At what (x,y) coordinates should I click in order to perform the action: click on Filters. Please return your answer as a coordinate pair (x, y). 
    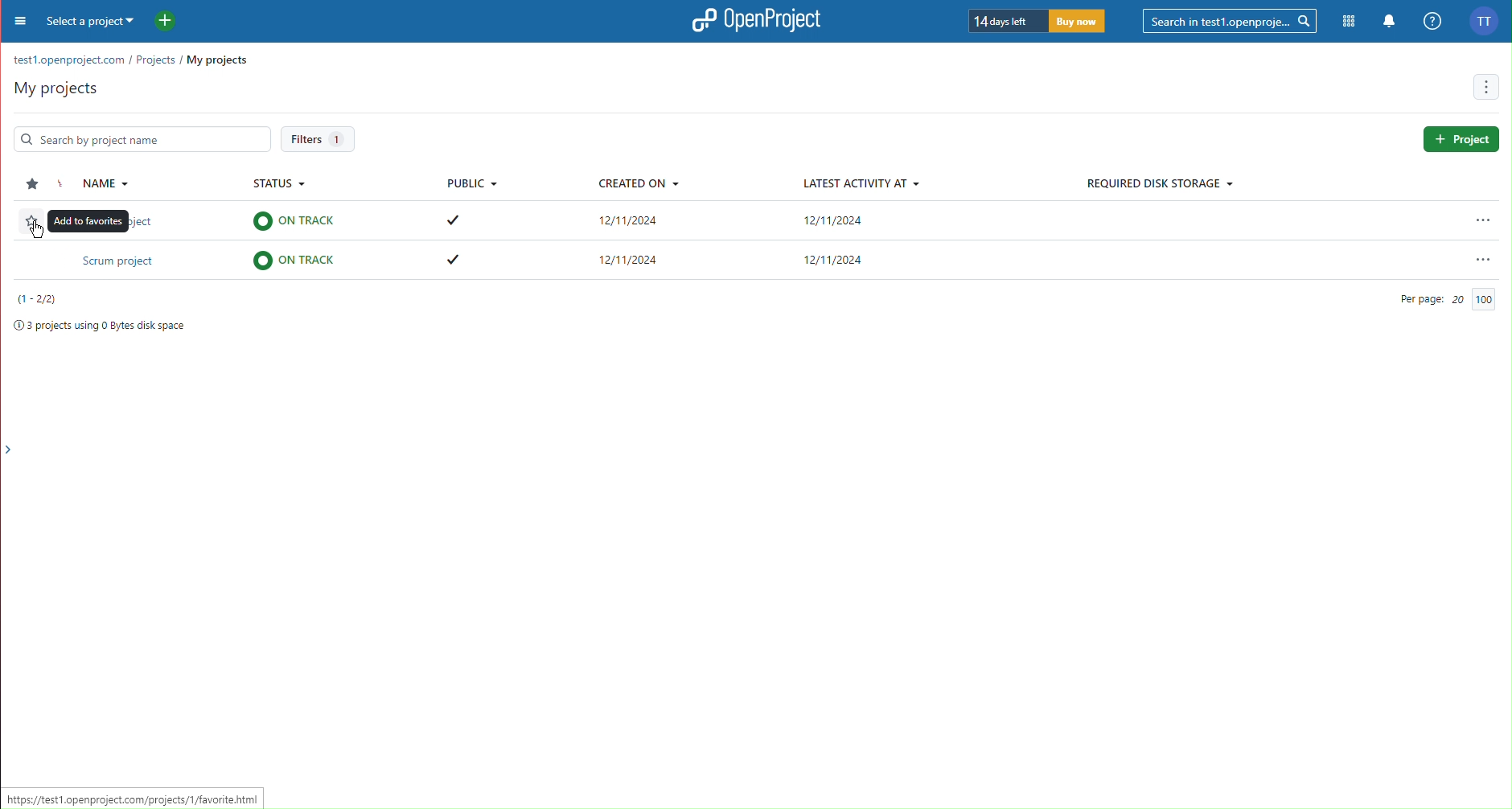
    Looking at the image, I should click on (318, 139).